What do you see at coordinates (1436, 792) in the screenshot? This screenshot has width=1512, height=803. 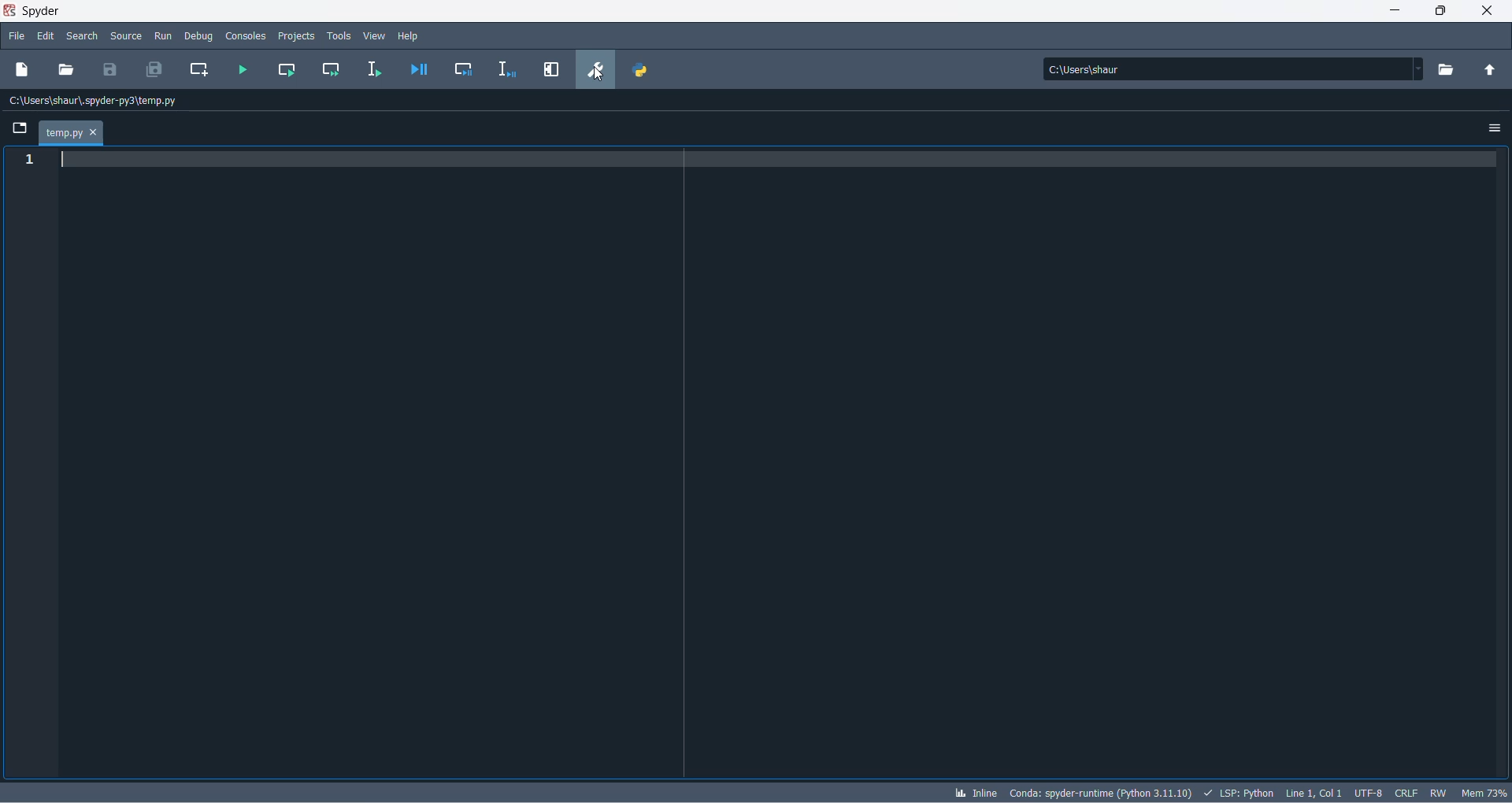 I see `file control` at bounding box center [1436, 792].